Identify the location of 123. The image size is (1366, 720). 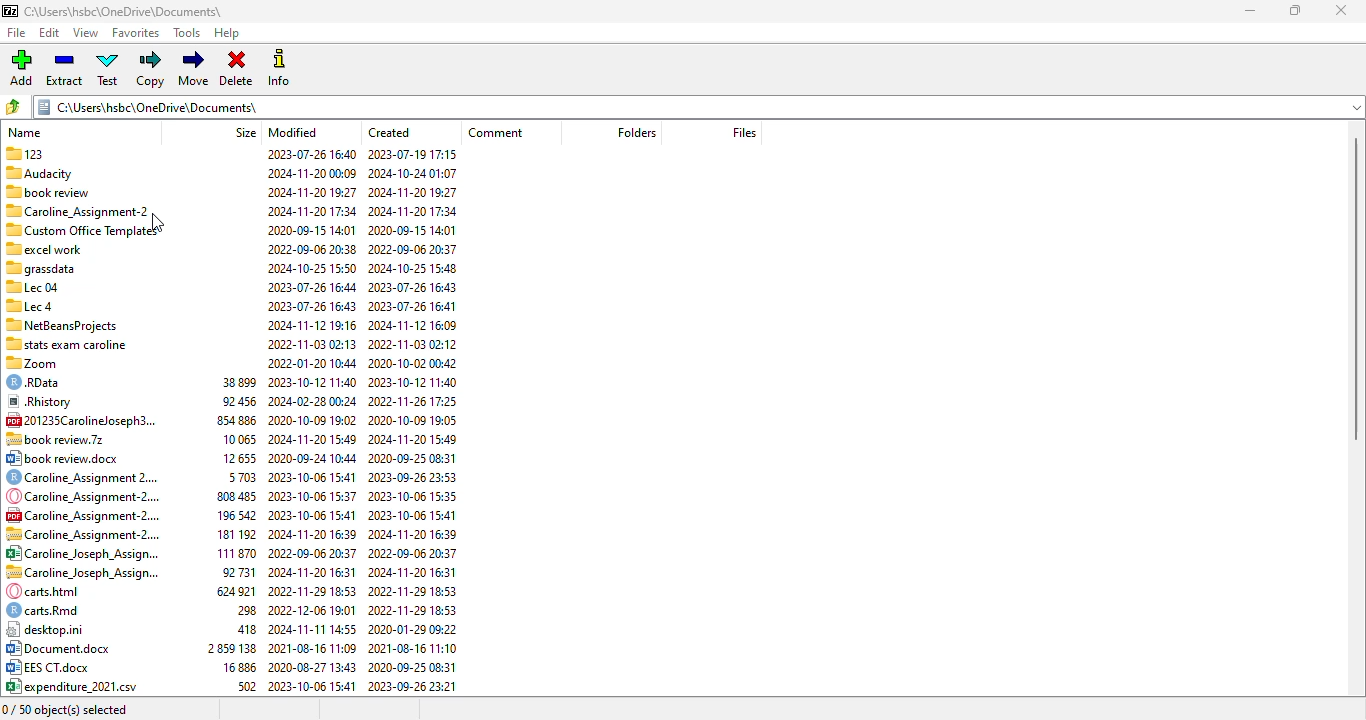
(37, 156).